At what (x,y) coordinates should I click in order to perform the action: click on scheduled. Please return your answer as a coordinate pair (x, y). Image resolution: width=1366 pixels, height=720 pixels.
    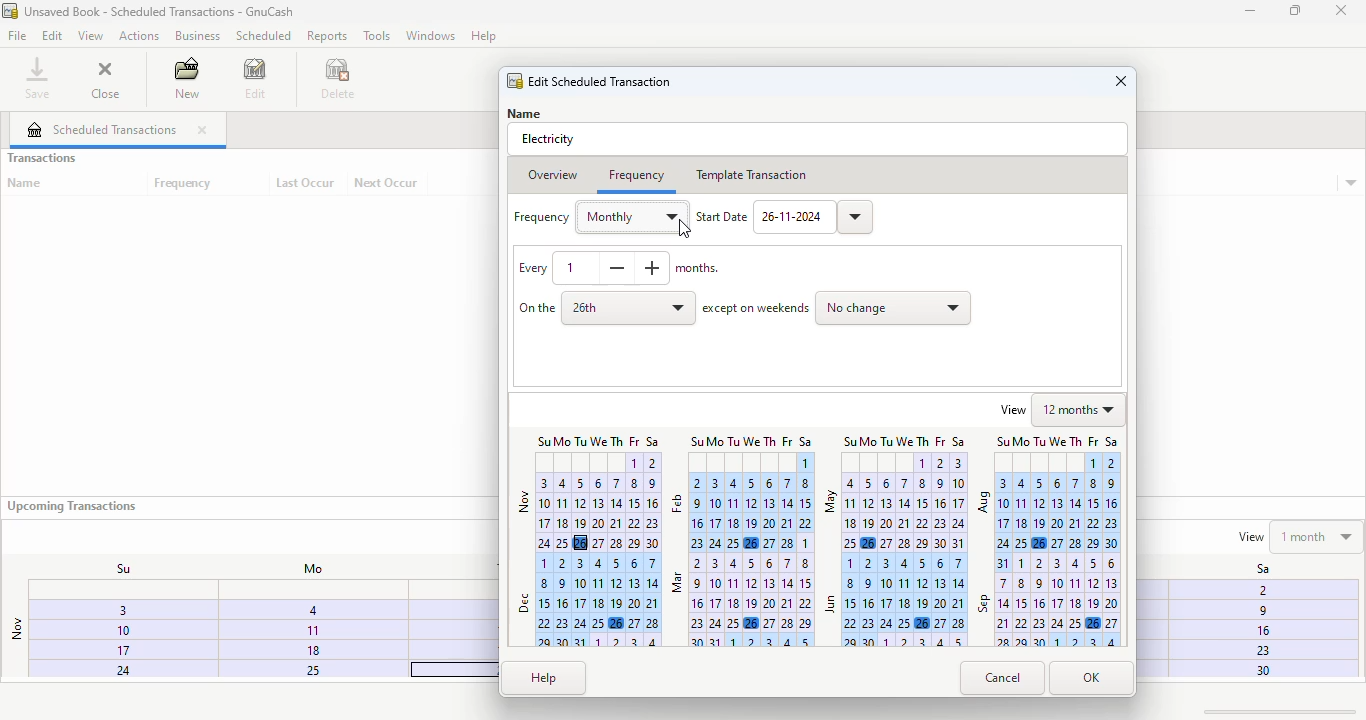
    Looking at the image, I should click on (263, 35).